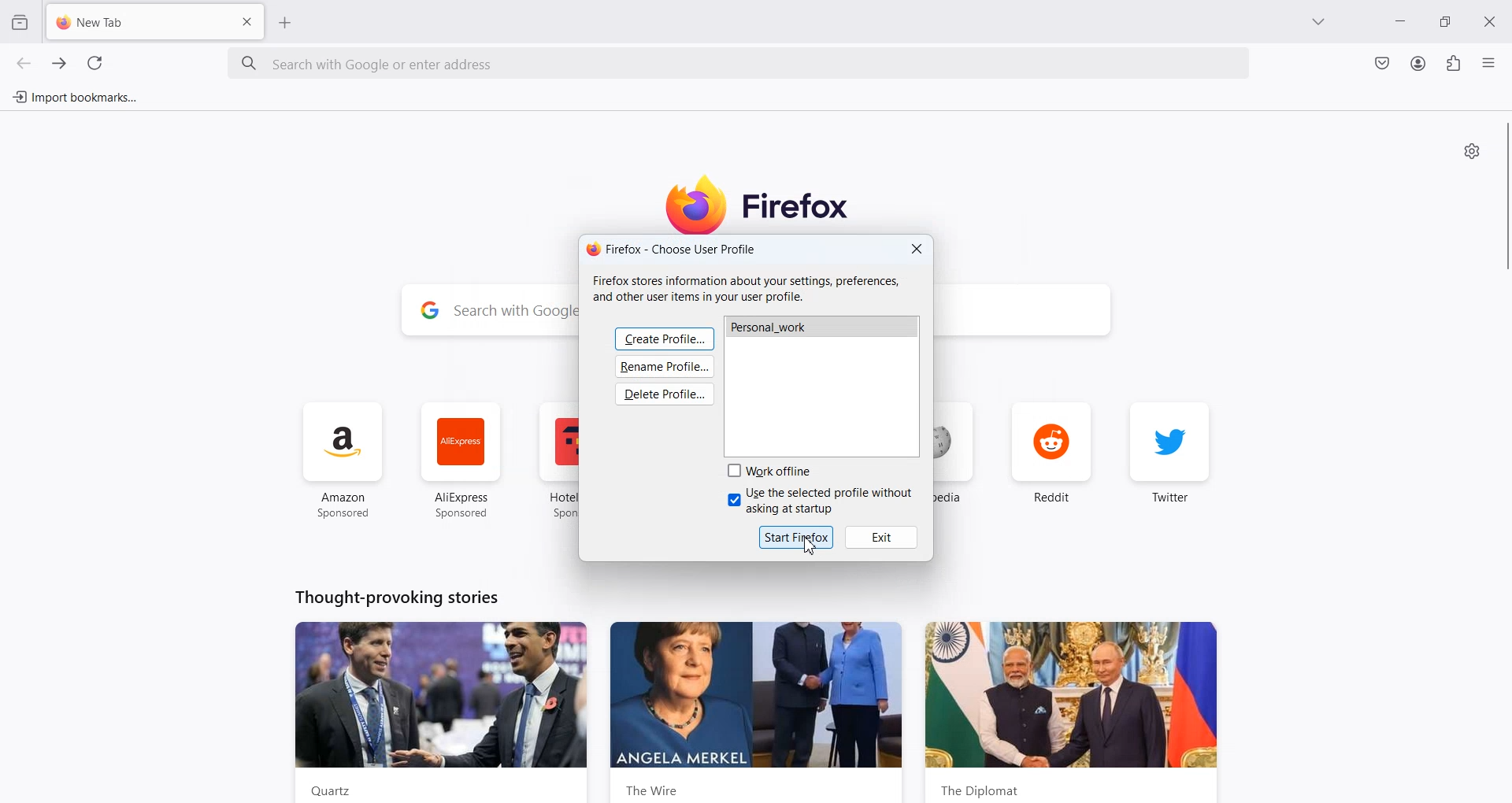 The height and width of the screenshot is (803, 1512). What do you see at coordinates (248, 20) in the screenshot?
I see `Close Tab` at bounding box center [248, 20].